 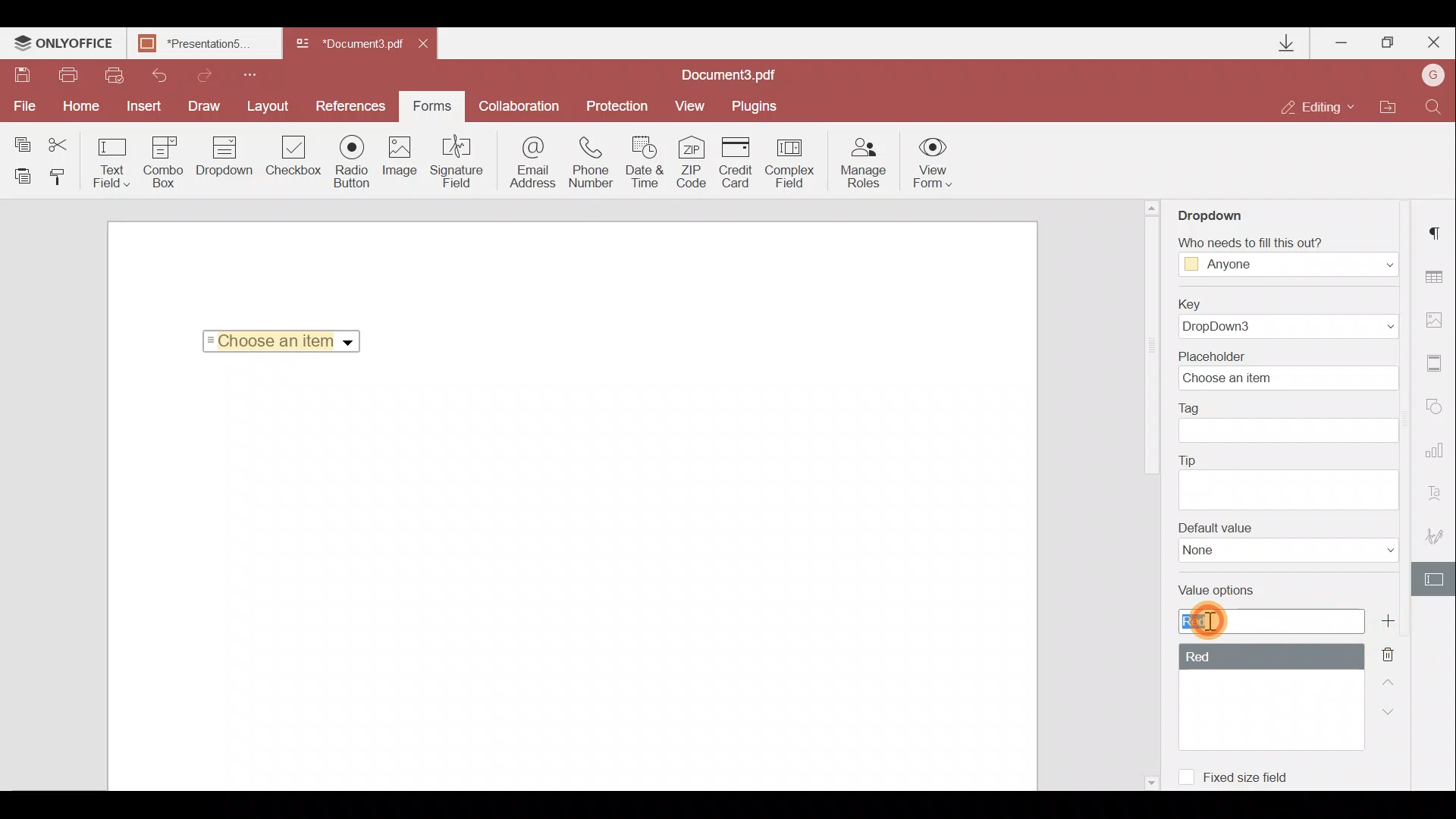 I want to click on Redo, so click(x=206, y=74).